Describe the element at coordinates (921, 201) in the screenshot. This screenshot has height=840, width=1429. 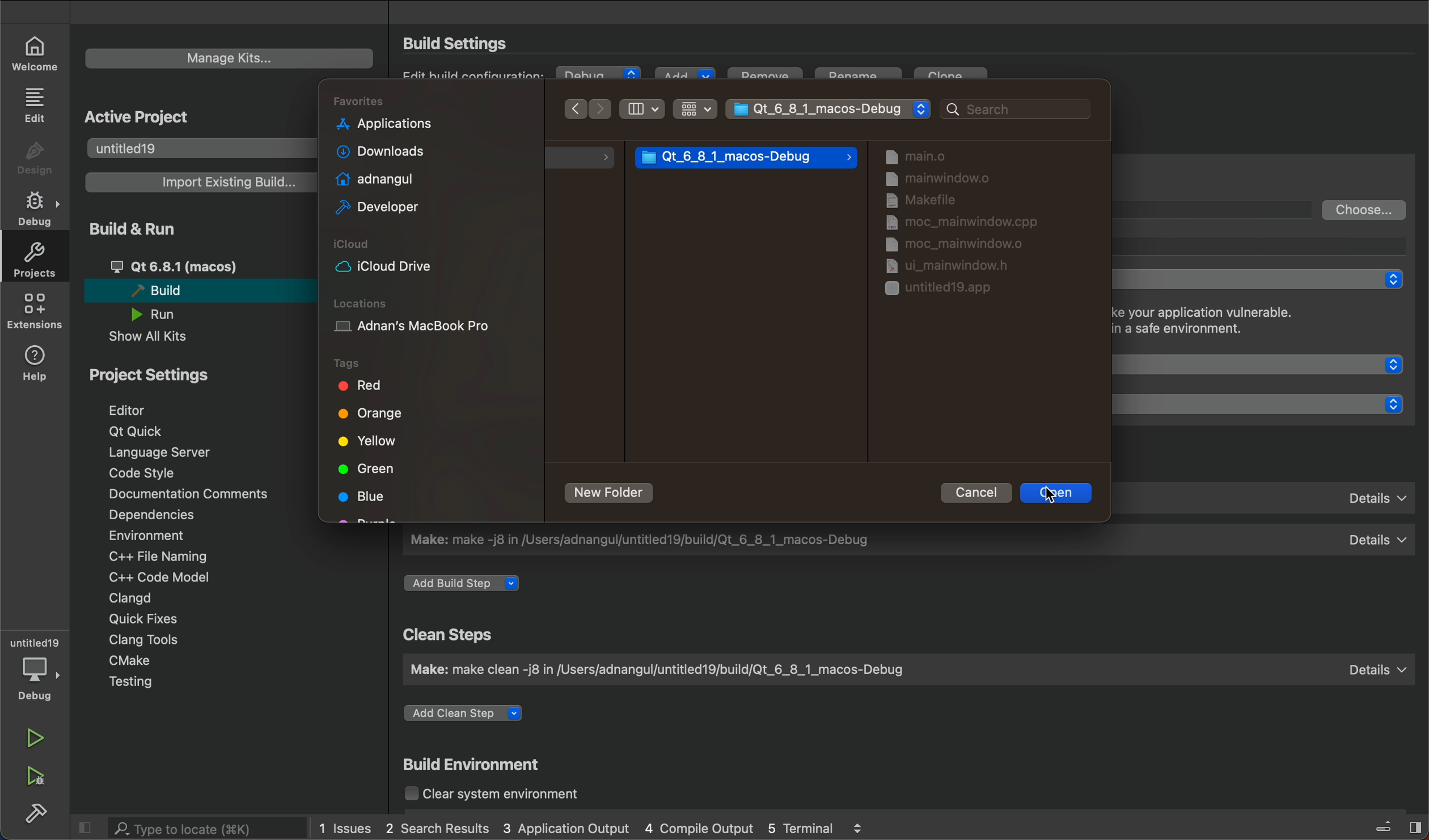
I see `markfile` at that location.